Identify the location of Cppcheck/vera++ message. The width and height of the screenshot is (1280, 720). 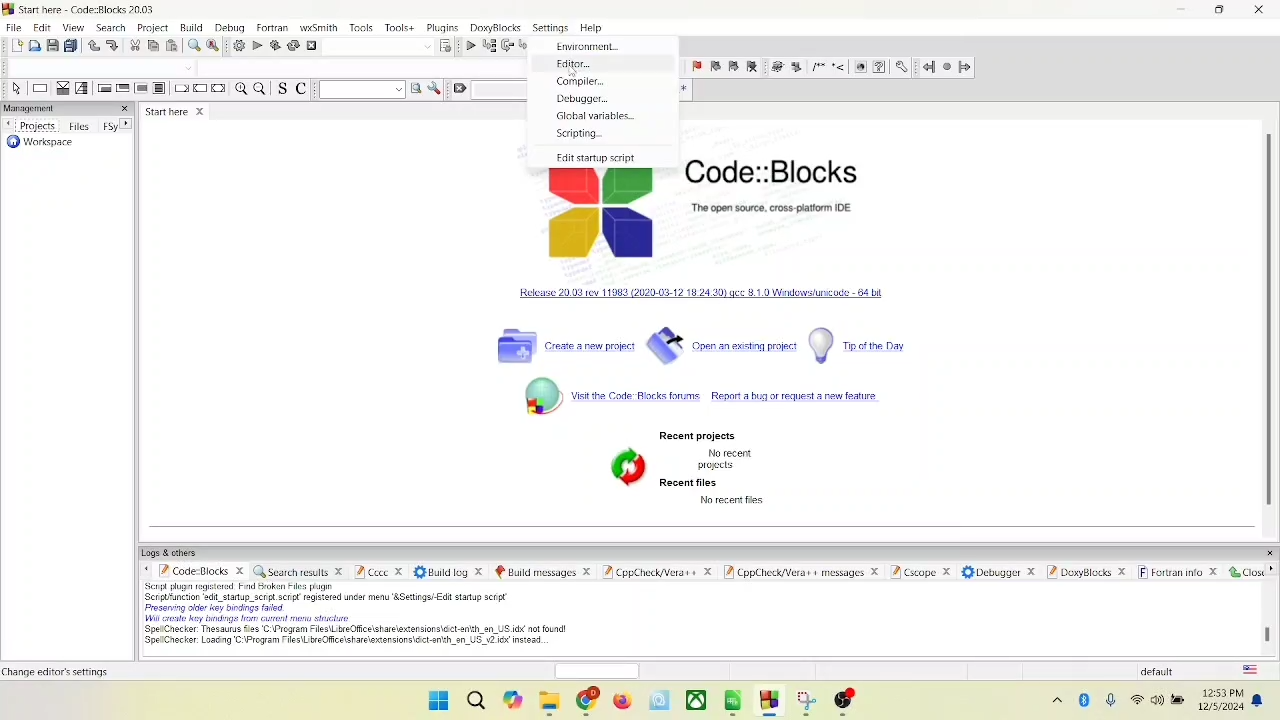
(803, 572).